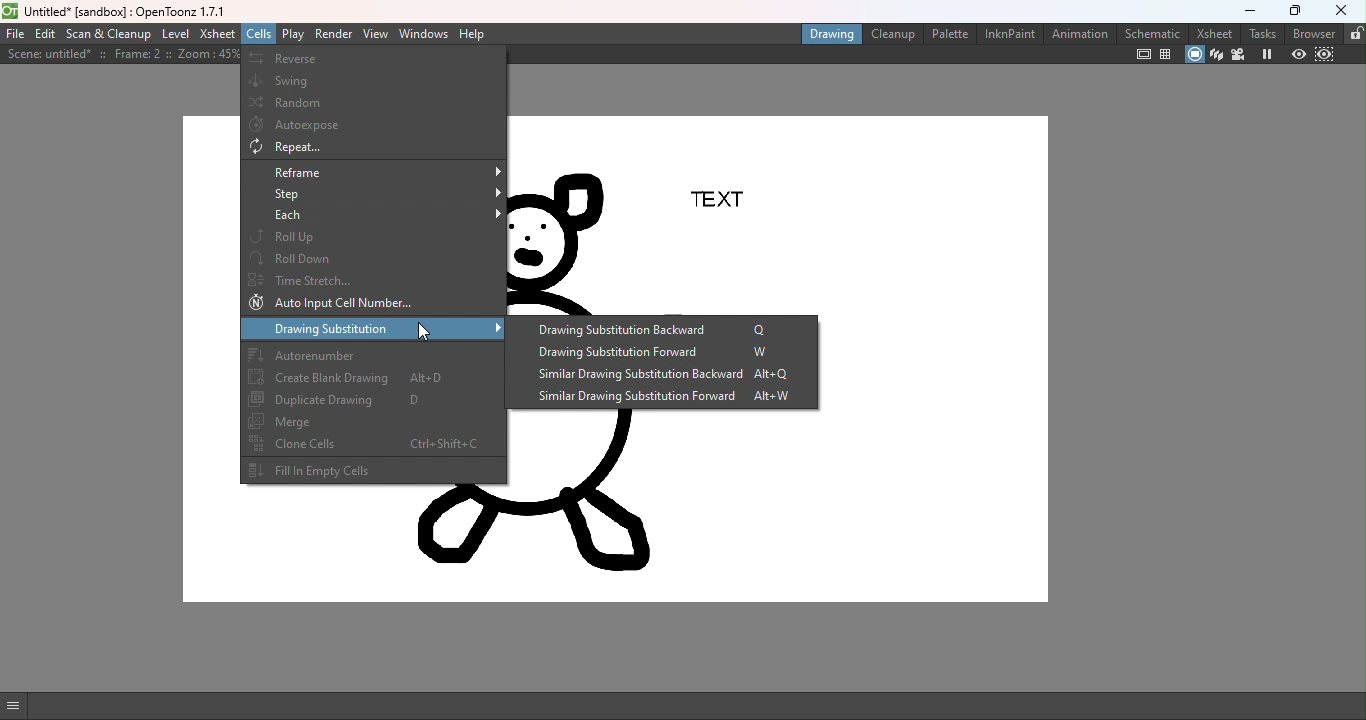 The height and width of the screenshot is (720, 1366). I want to click on 3D view, so click(1216, 53).